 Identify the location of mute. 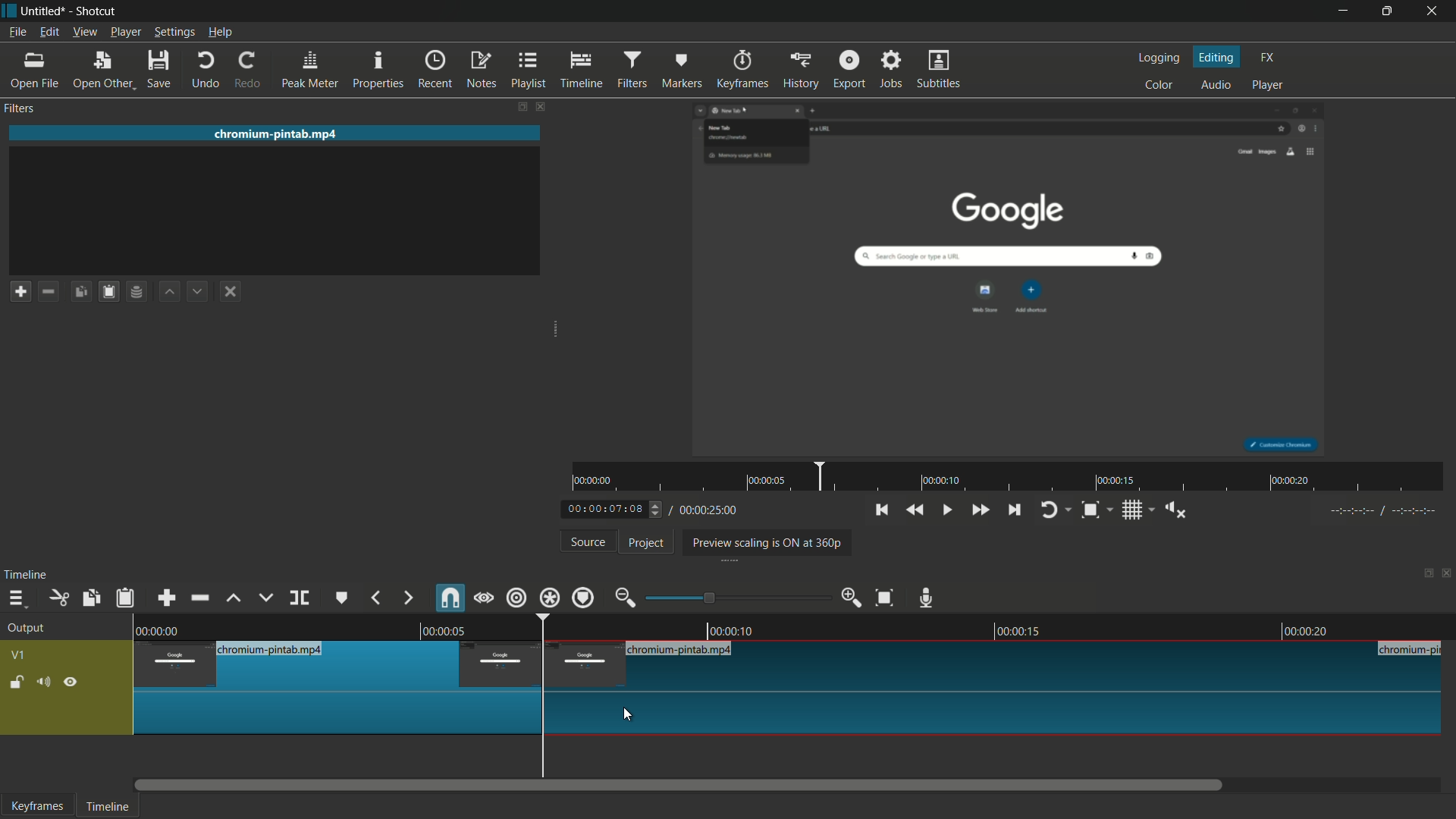
(42, 684).